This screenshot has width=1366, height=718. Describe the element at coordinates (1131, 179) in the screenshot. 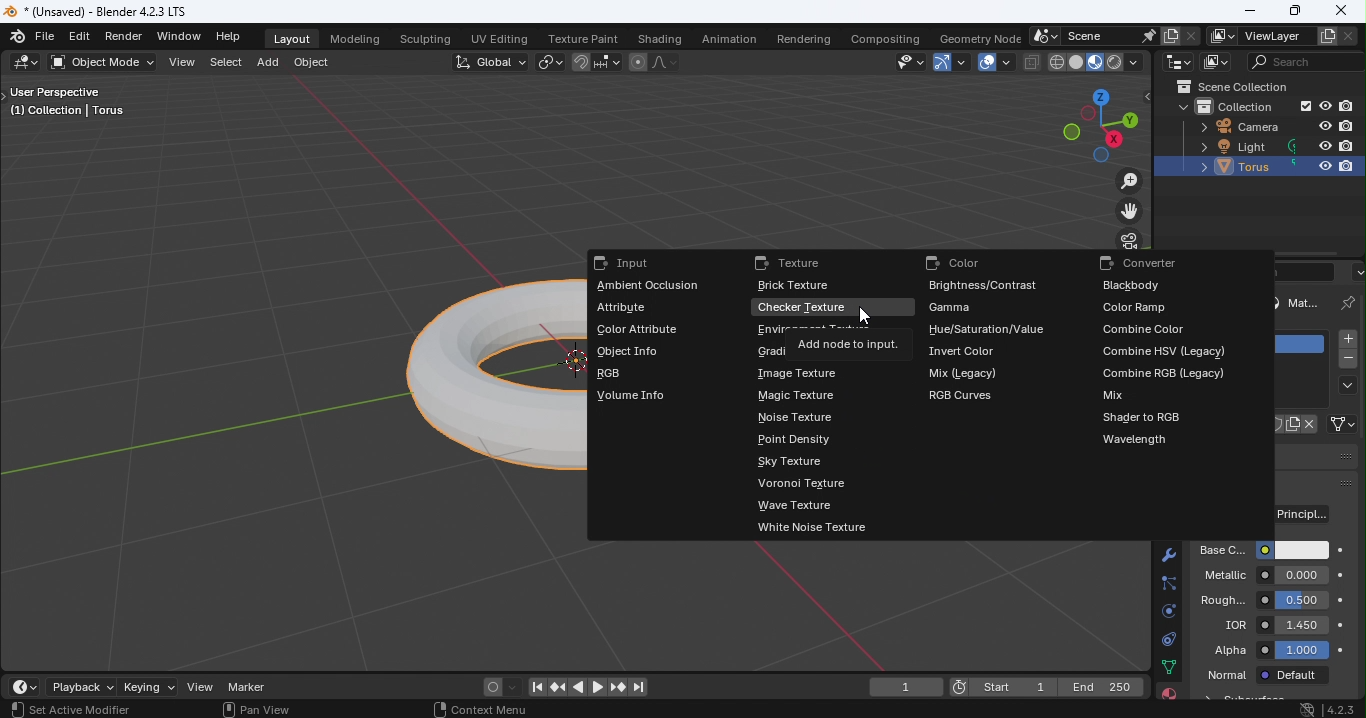

I see `Zoom in/out the view` at that location.